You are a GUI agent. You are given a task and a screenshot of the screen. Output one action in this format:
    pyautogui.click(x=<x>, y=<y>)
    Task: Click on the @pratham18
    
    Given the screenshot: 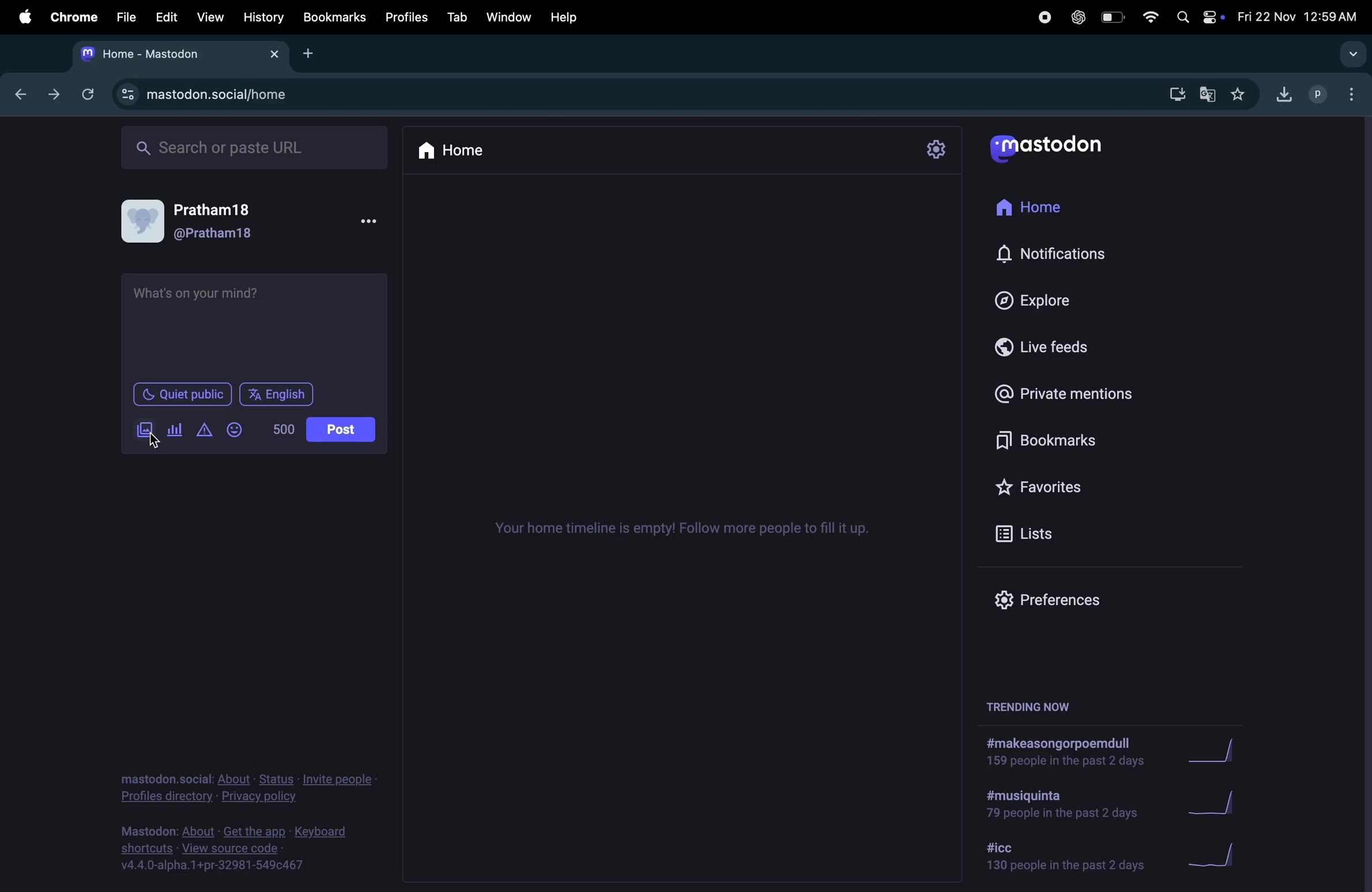 What is the action you would take?
    pyautogui.click(x=215, y=234)
    